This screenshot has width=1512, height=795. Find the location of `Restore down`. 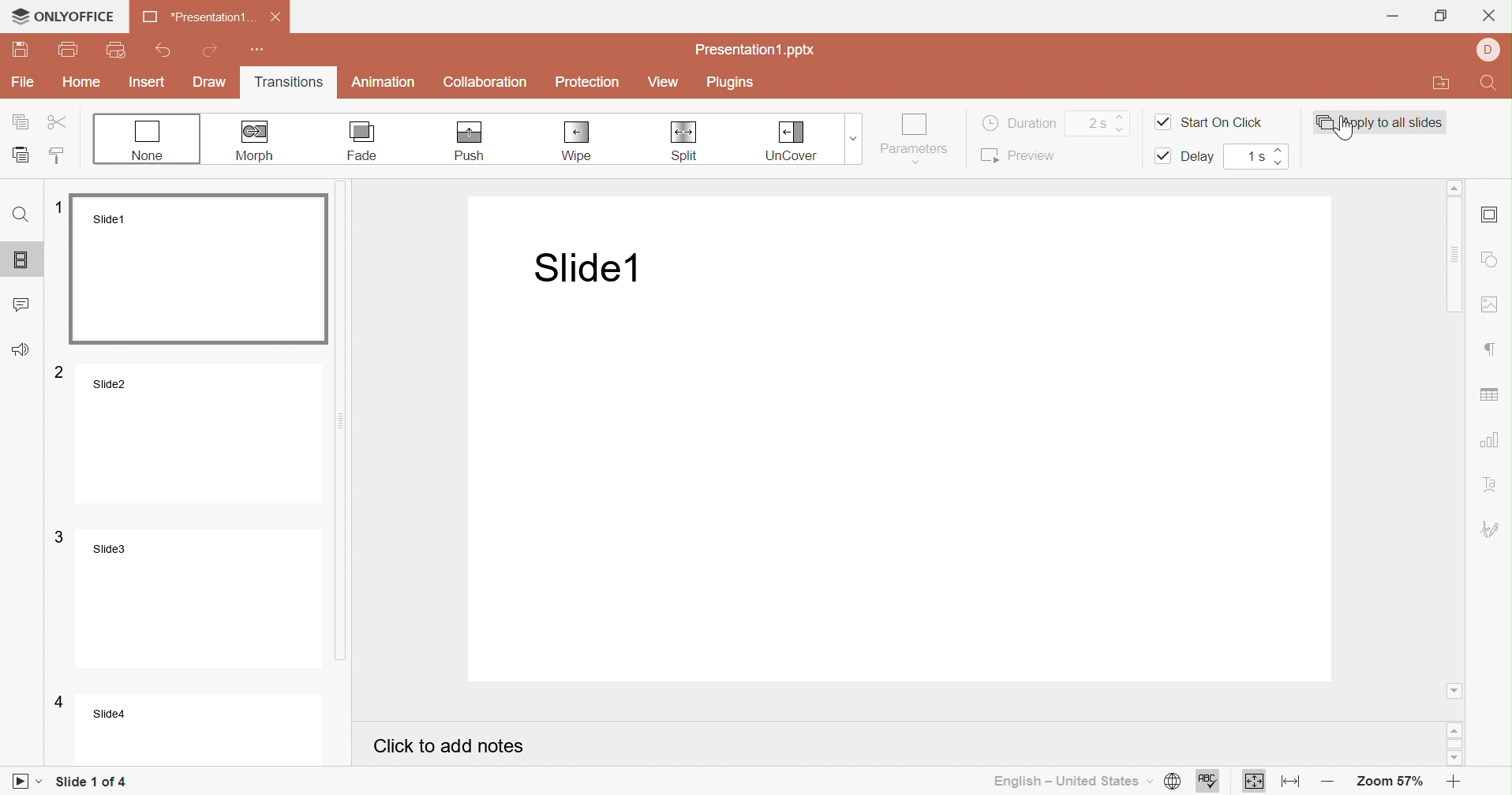

Restore down is located at coordinates (1441, 17).